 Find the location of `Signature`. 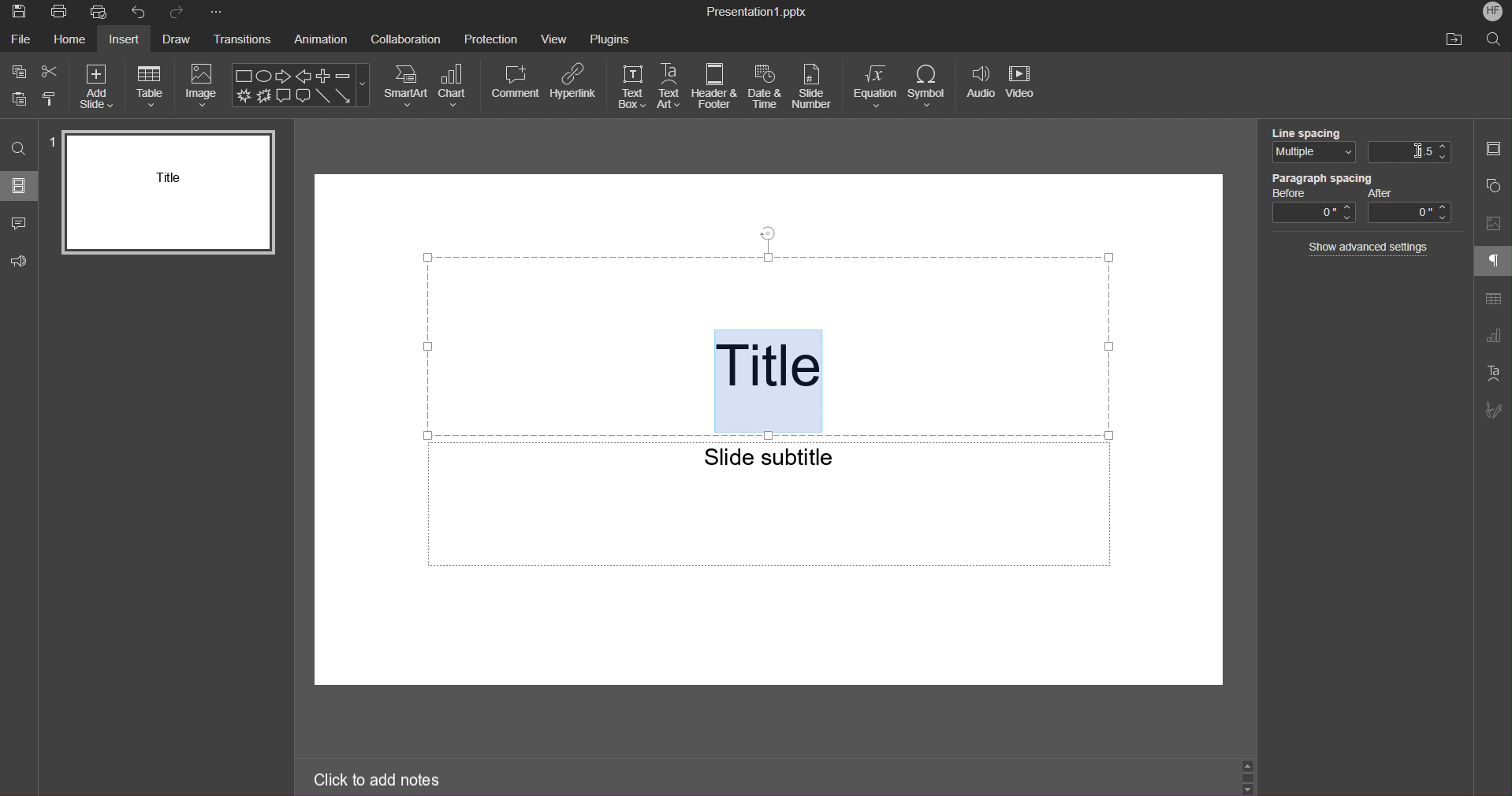

Signature is located at coordinates (1492, 411).